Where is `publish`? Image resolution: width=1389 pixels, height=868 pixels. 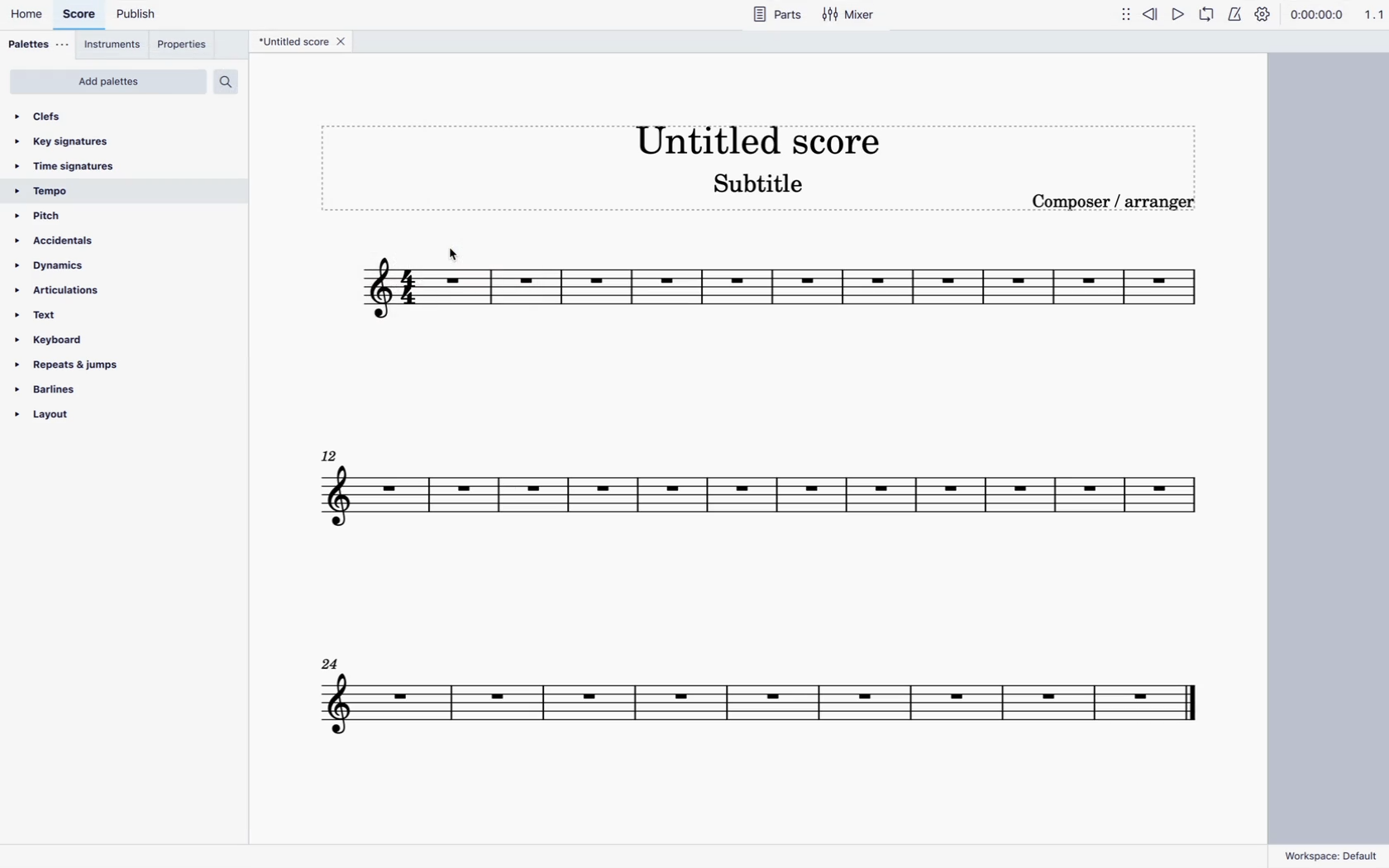
publish is located at coordinates (142, 15).